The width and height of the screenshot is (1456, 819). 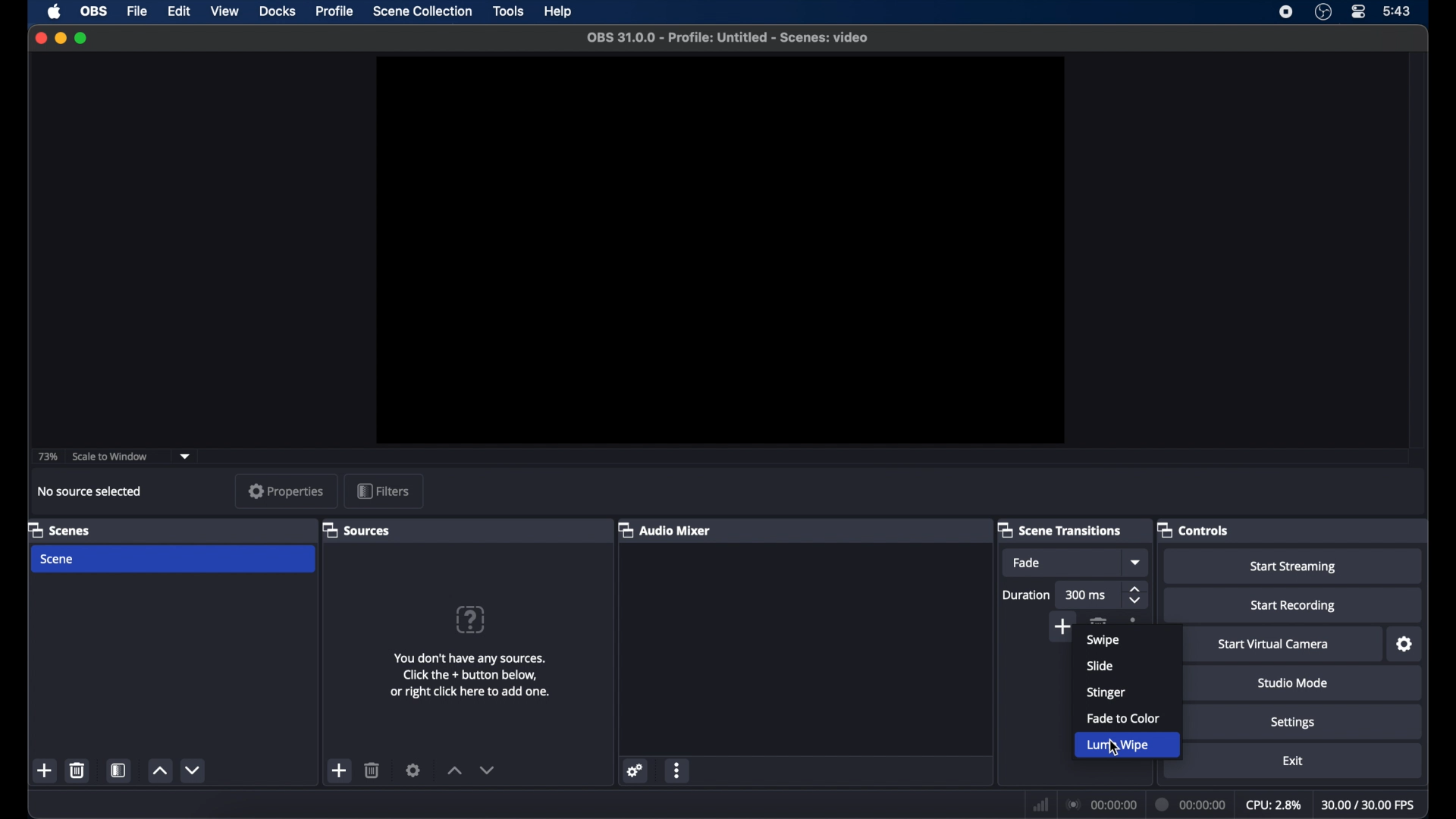 What do you see at coordinates (47, 457) in the screenshot?
I see `73%` at bounding box center [47, 457].